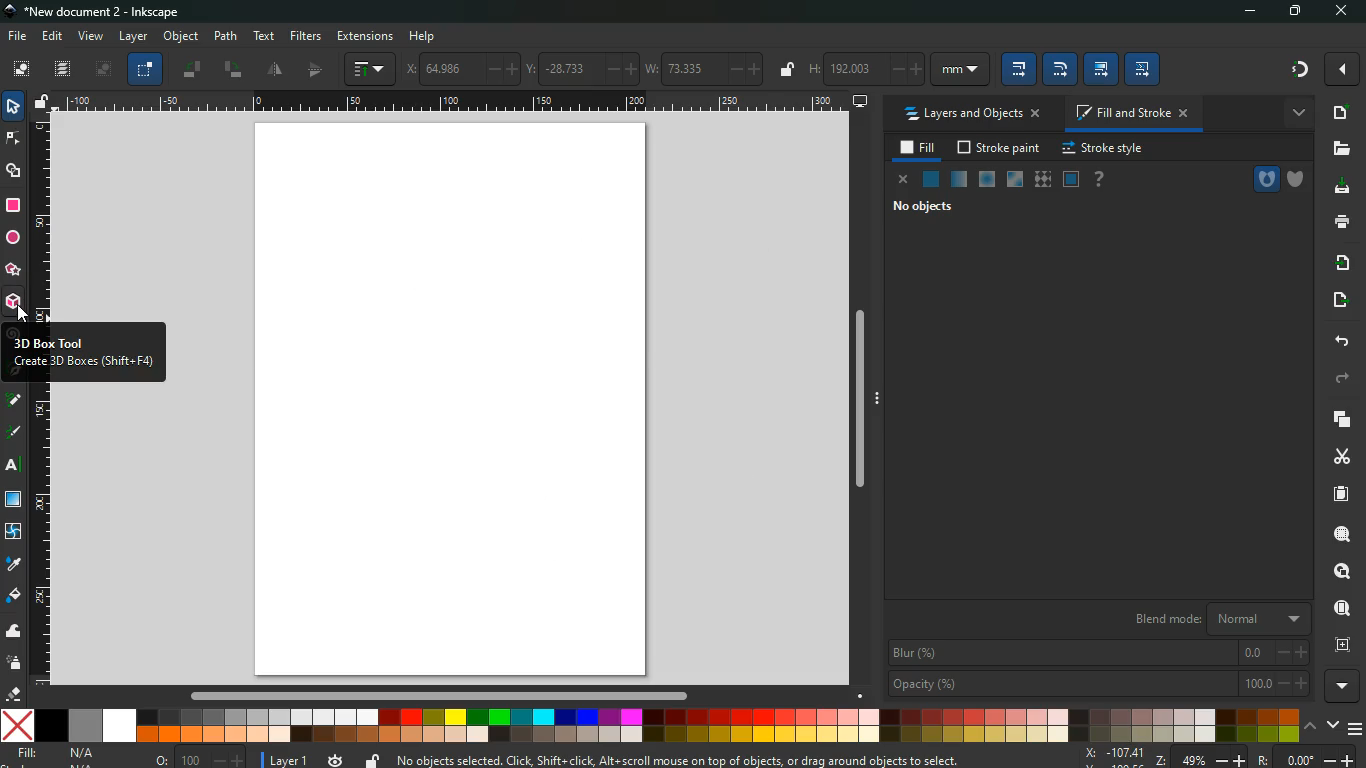 The height and width of the screenshot is (768, 1366). Describe the element at coordinates (336, 756) in the screenshot. I see `time` at that location.